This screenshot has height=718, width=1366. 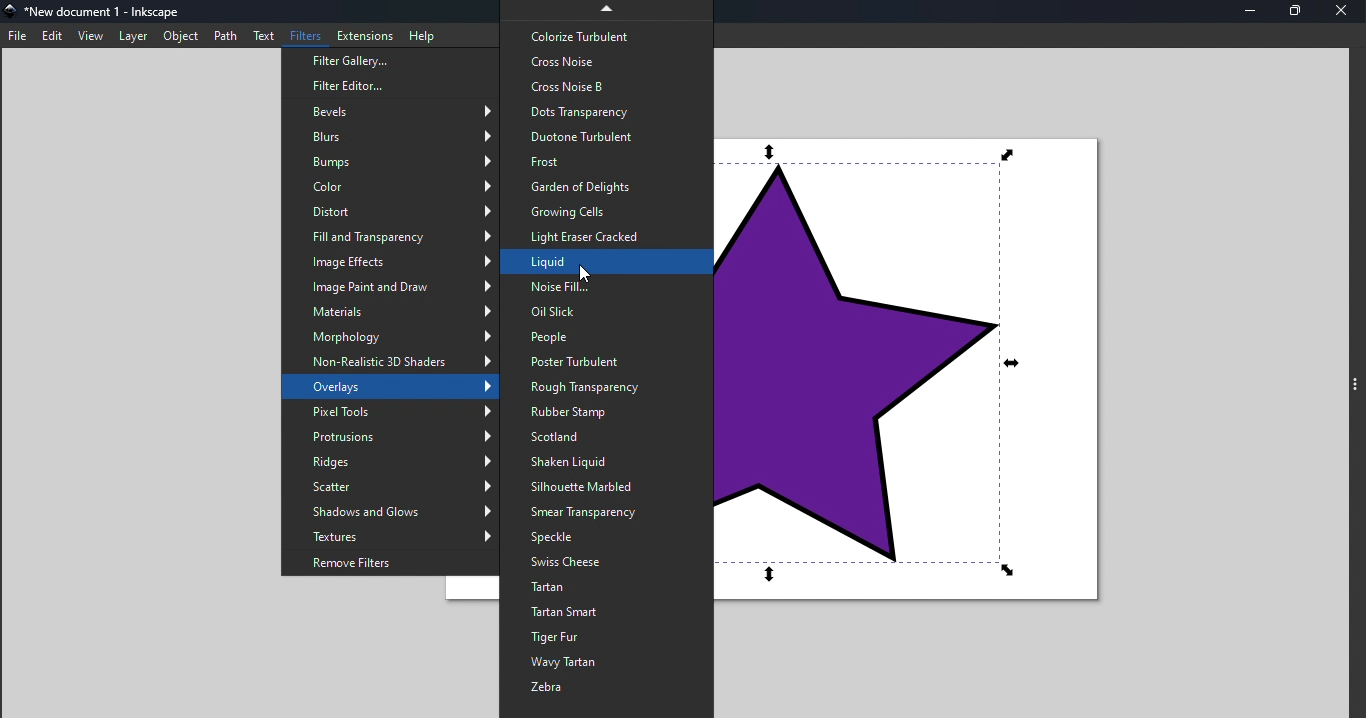 I want to click on Swiss cheese, so click(x=607, y=563).